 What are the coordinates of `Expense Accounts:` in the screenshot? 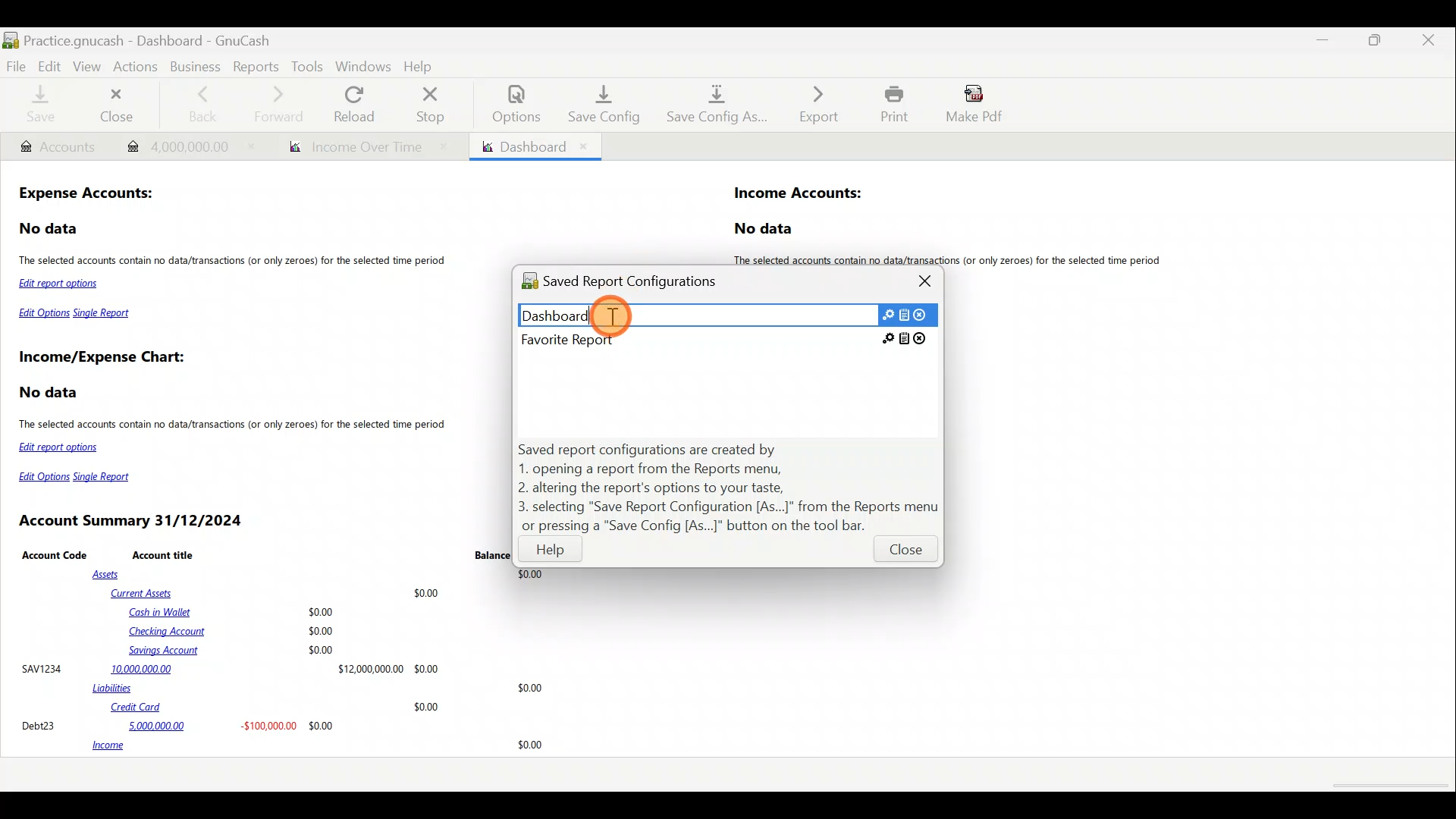 It's located at (88, 195).